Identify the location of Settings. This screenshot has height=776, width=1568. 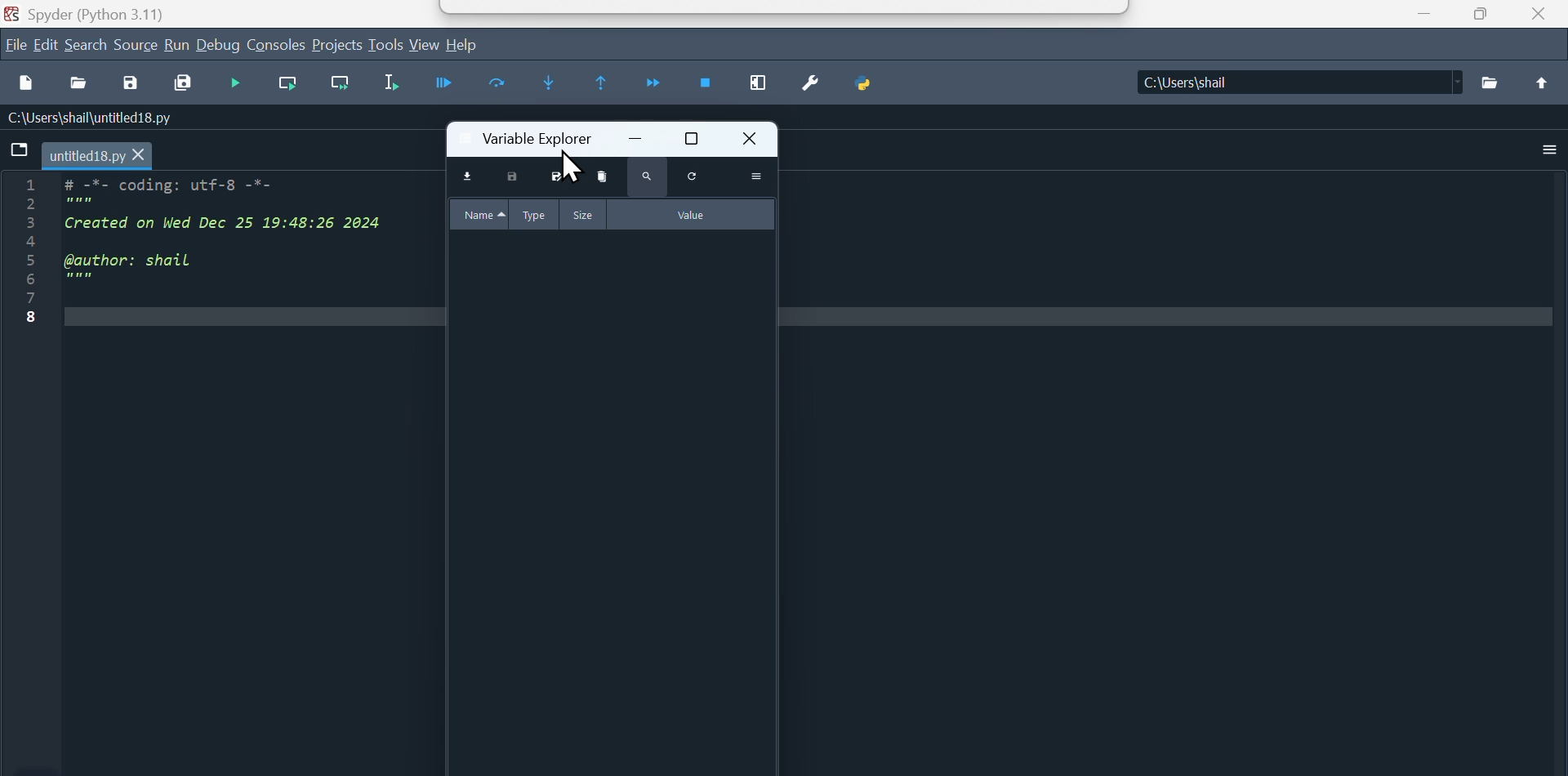
(810, 87).